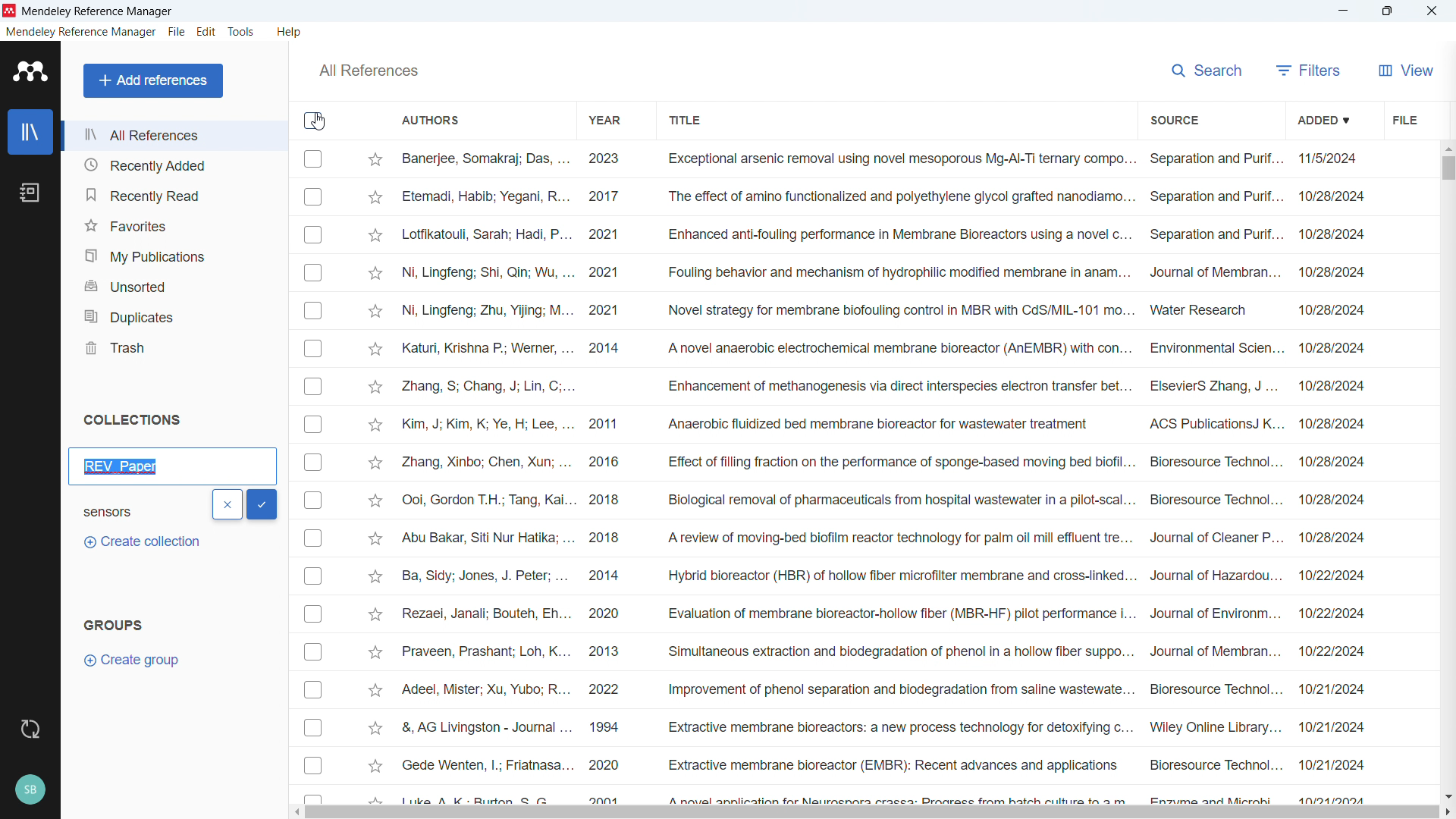 This screenshot has width=1456, height=819. Describe the element at coordinates (684, 118) in the screenshot. I see `Title` at that location.